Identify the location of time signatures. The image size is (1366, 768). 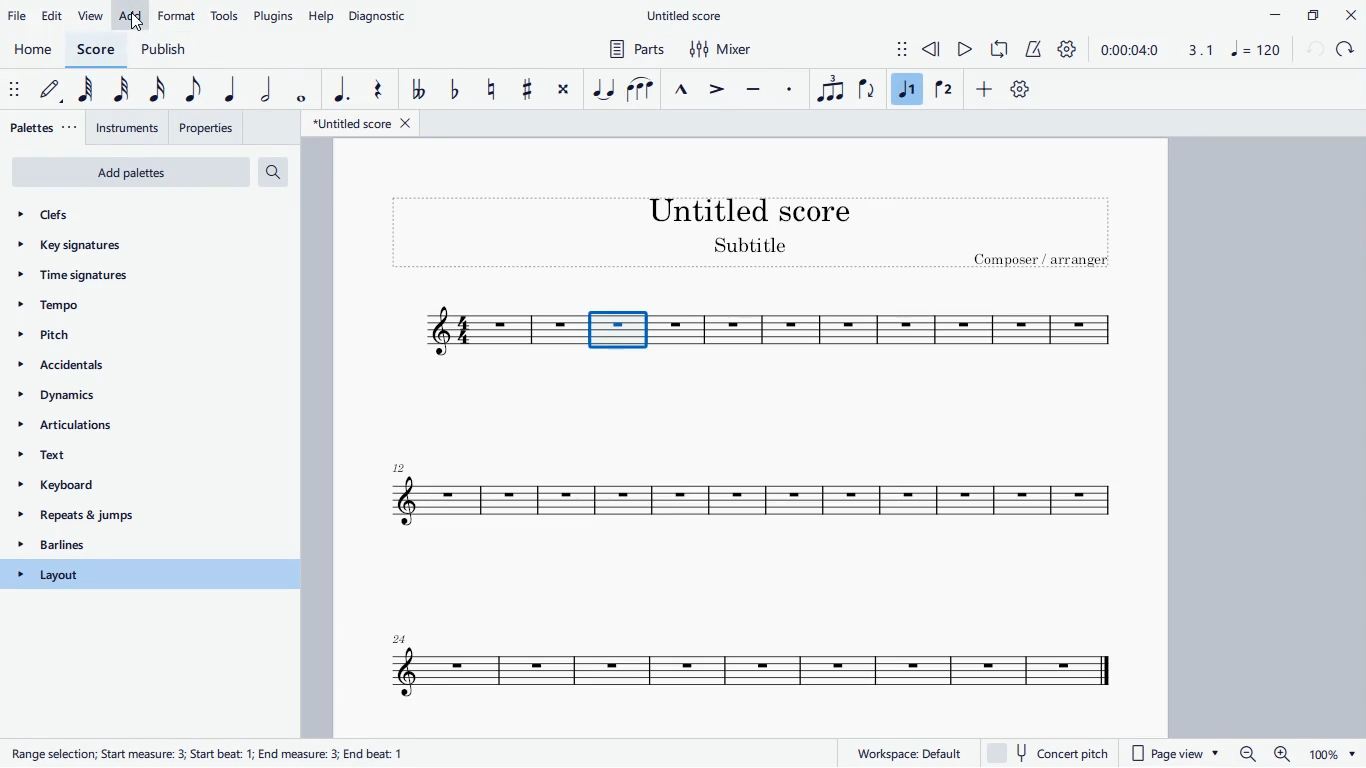
(123, 281).